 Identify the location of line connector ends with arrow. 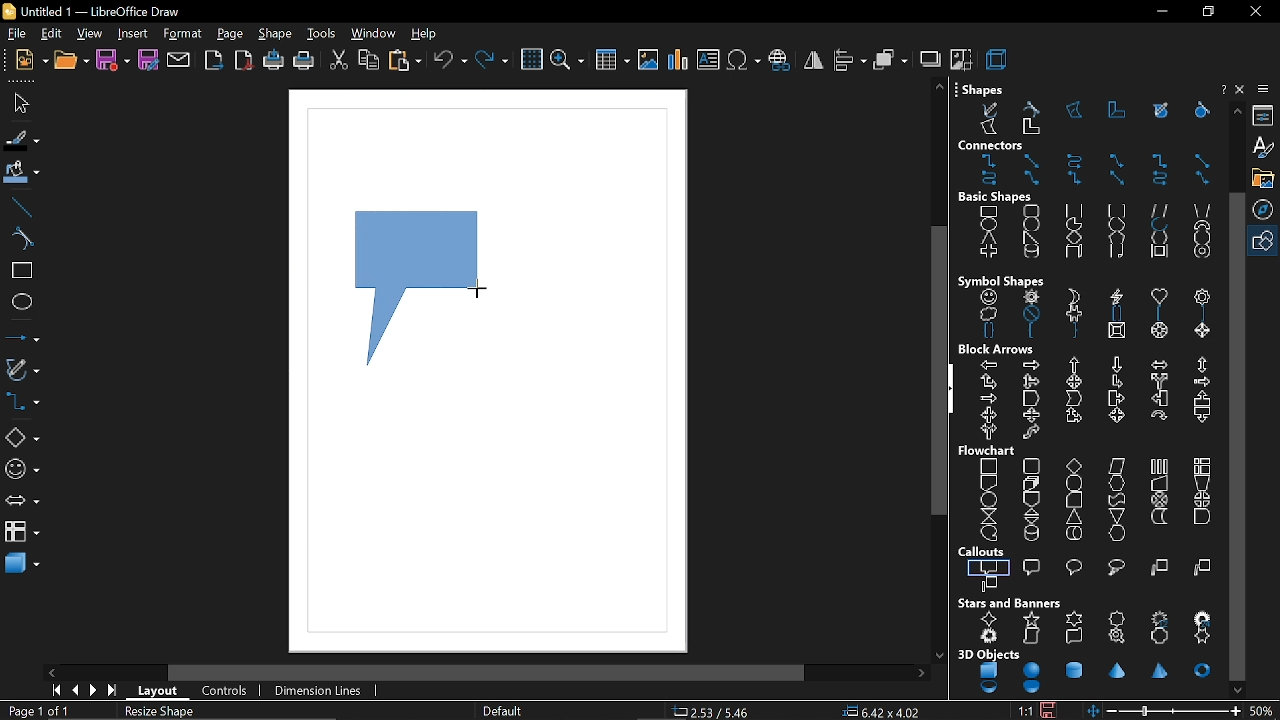
(1118, 161).